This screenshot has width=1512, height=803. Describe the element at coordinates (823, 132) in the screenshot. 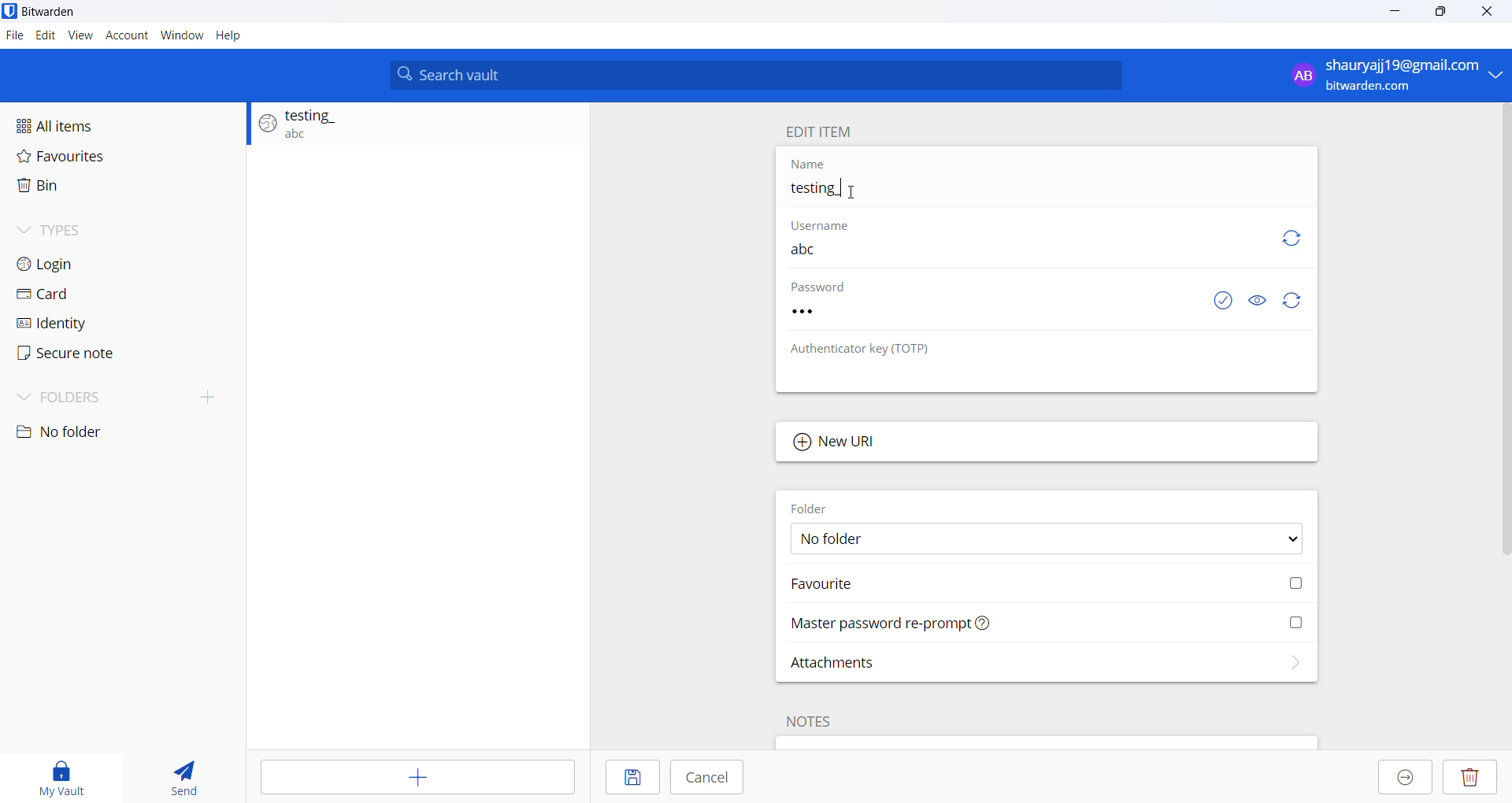

I see `Edit name heading` at that location.